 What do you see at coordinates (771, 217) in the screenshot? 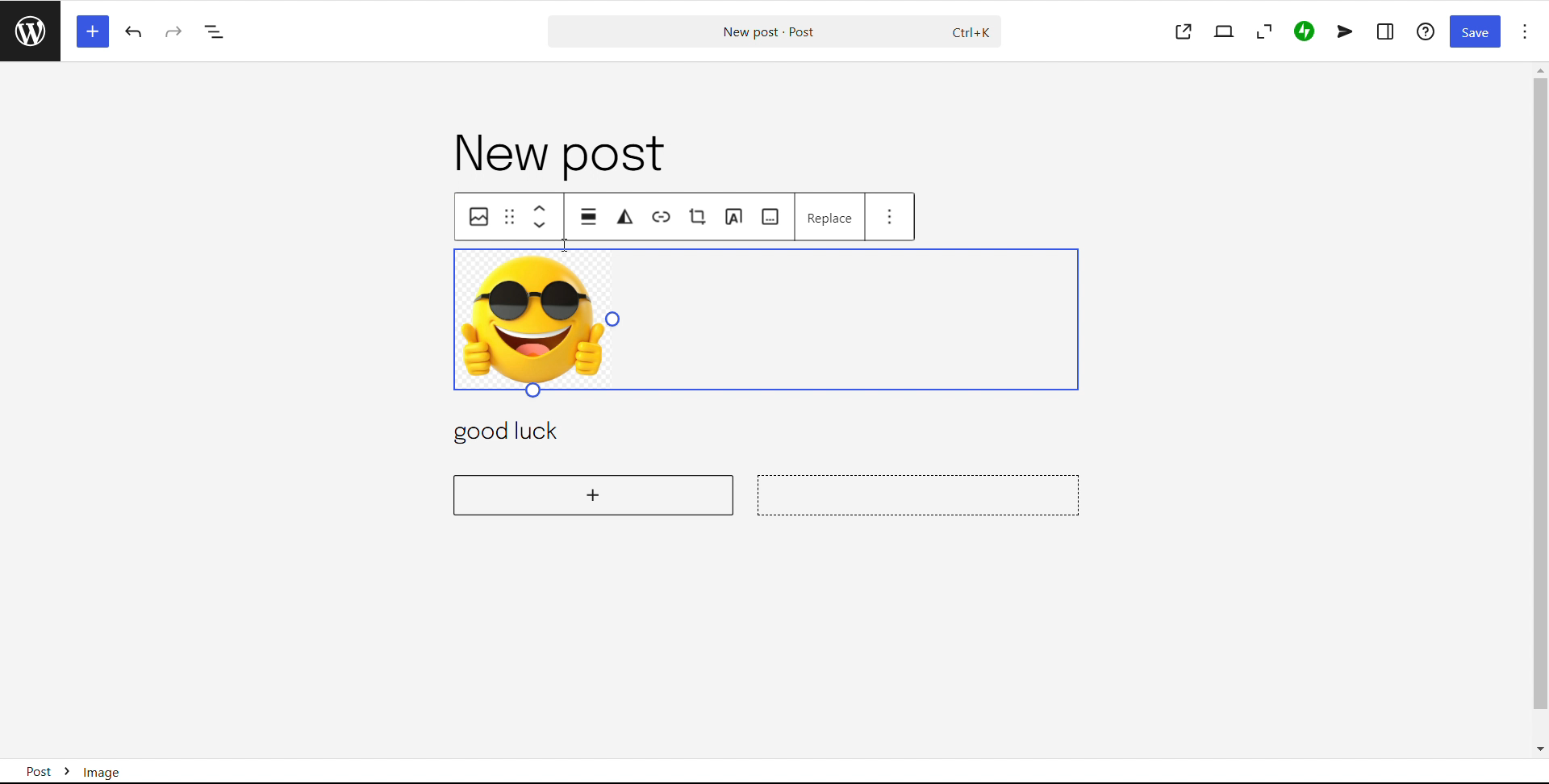
I see `add caption` at bounding box center [771, 217].